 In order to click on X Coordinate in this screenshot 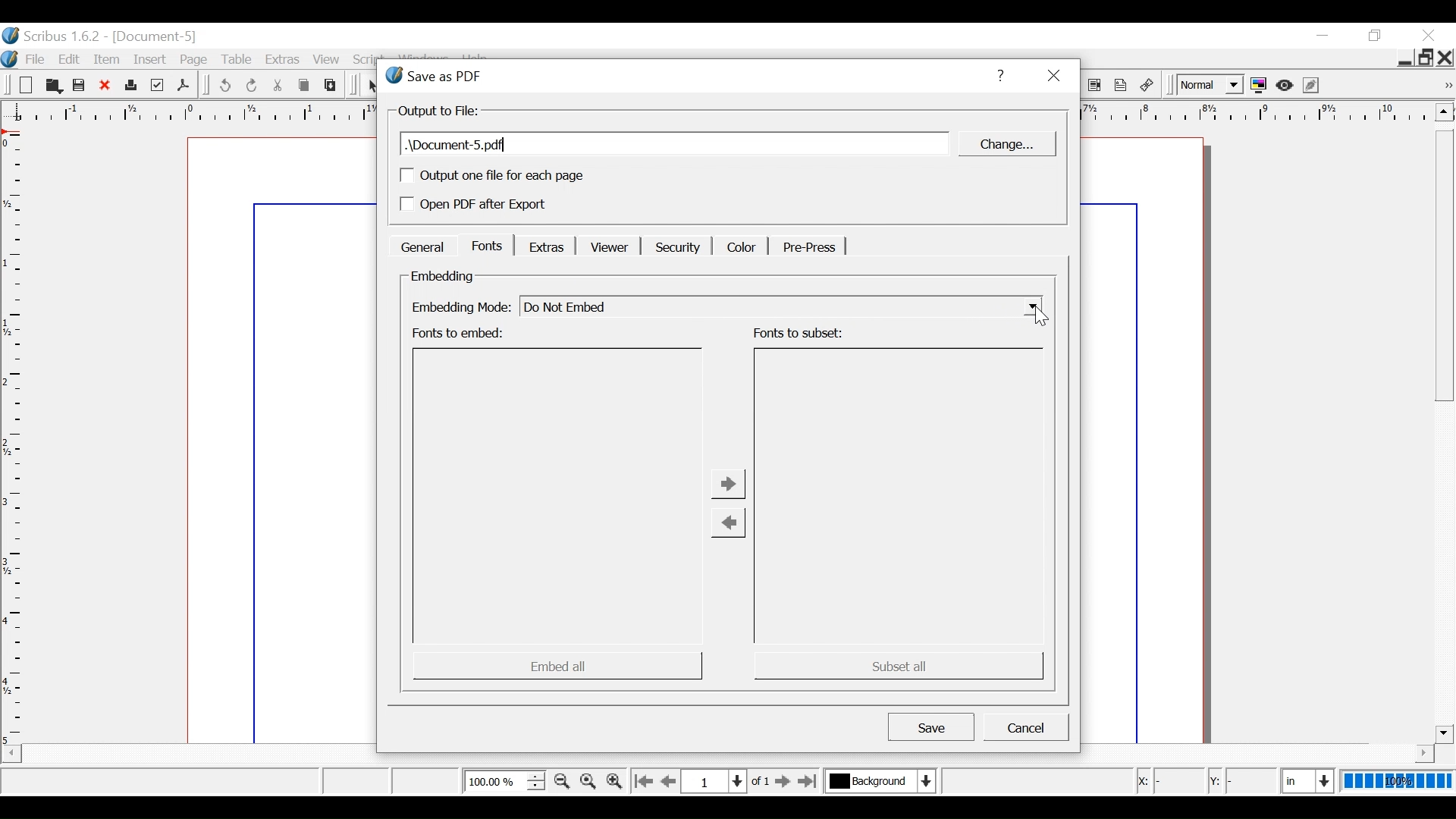, I will do `click(1168, 781)`.